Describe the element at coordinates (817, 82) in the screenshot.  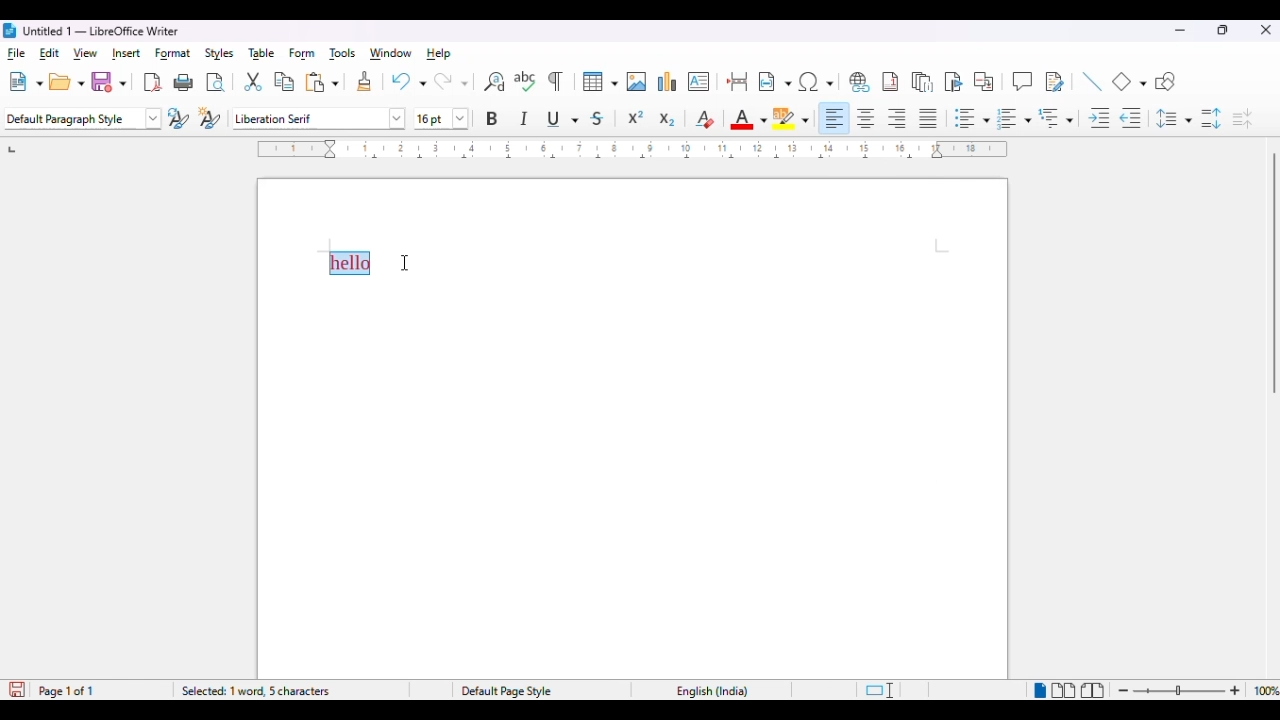
I see `insert special characters` at that location.